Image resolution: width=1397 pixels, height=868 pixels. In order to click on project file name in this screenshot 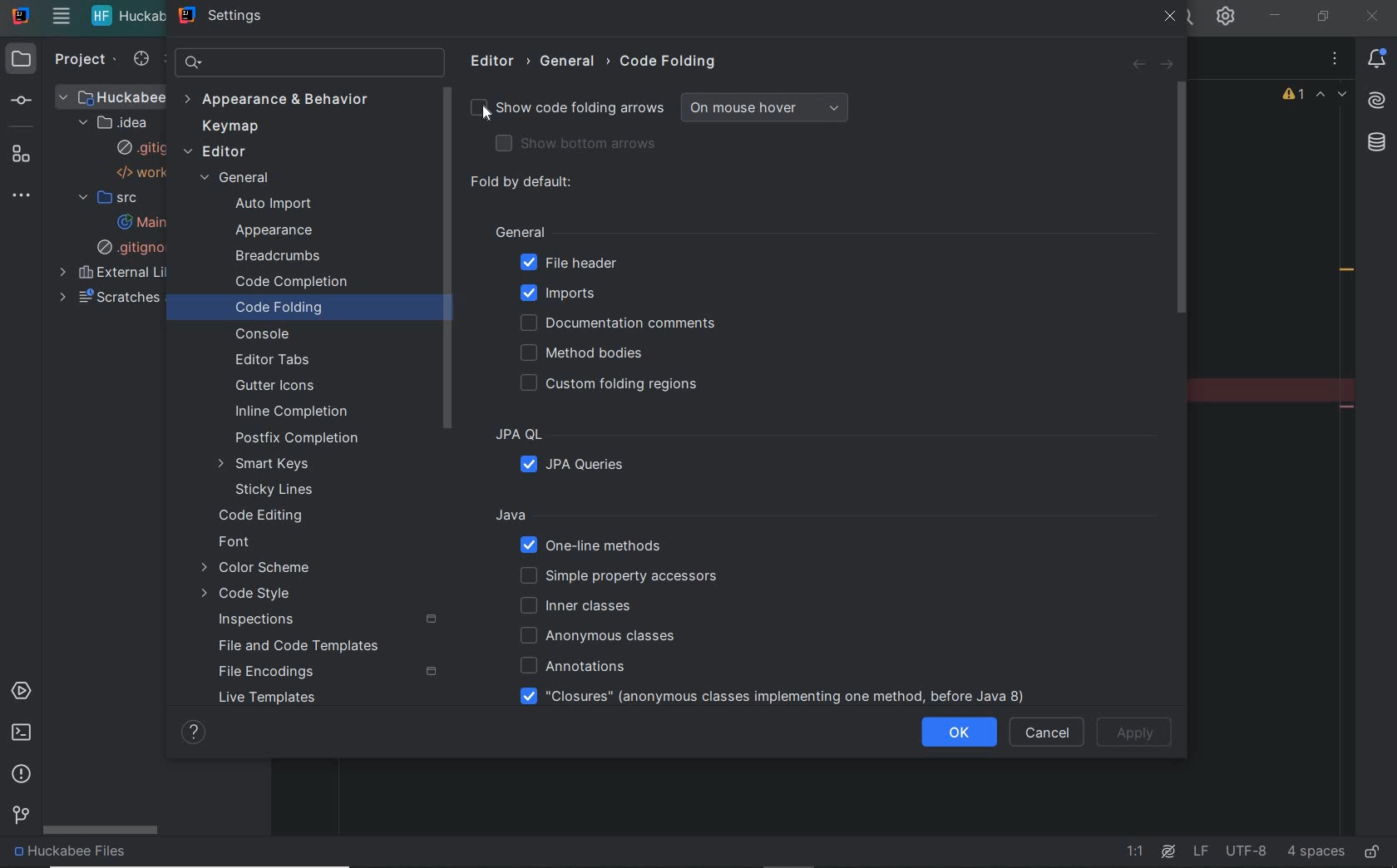, I will do `click(121, 96)`.